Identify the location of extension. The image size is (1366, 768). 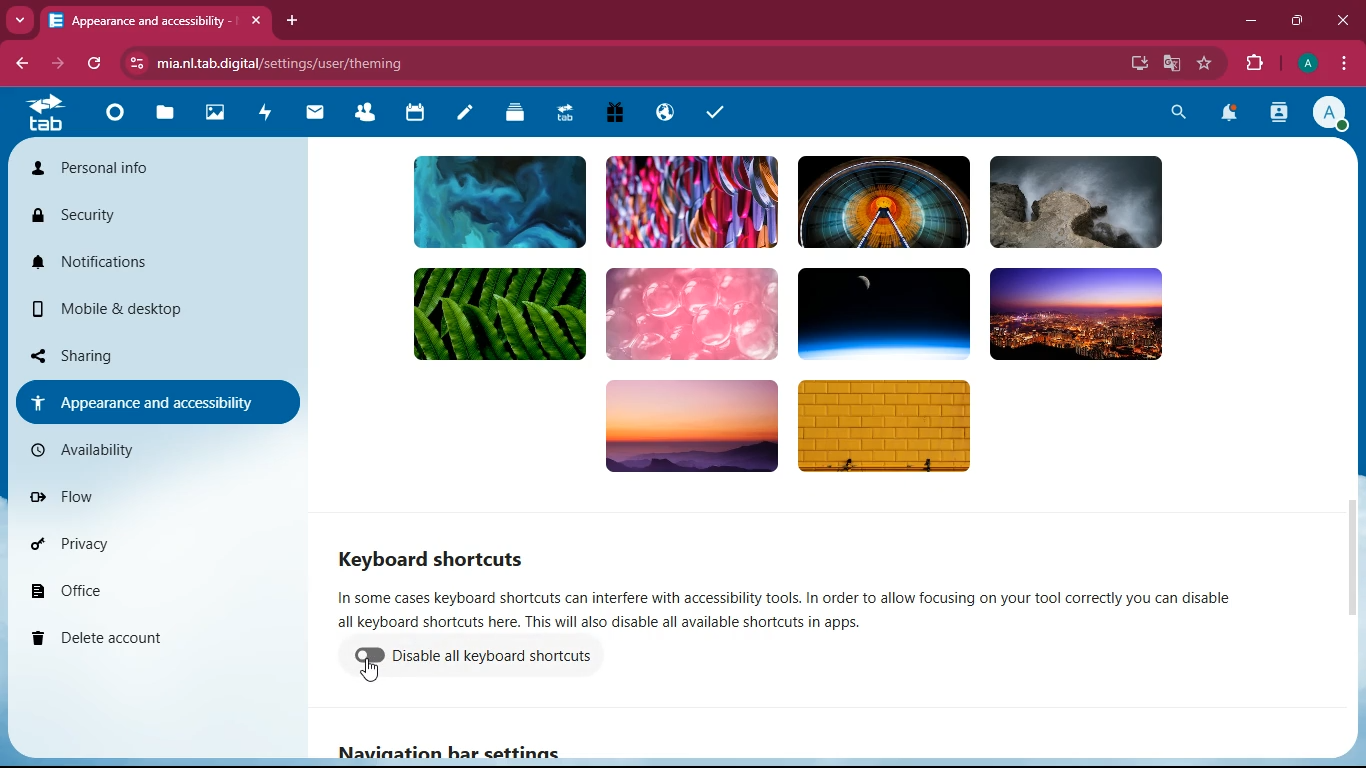
(1252, 64).